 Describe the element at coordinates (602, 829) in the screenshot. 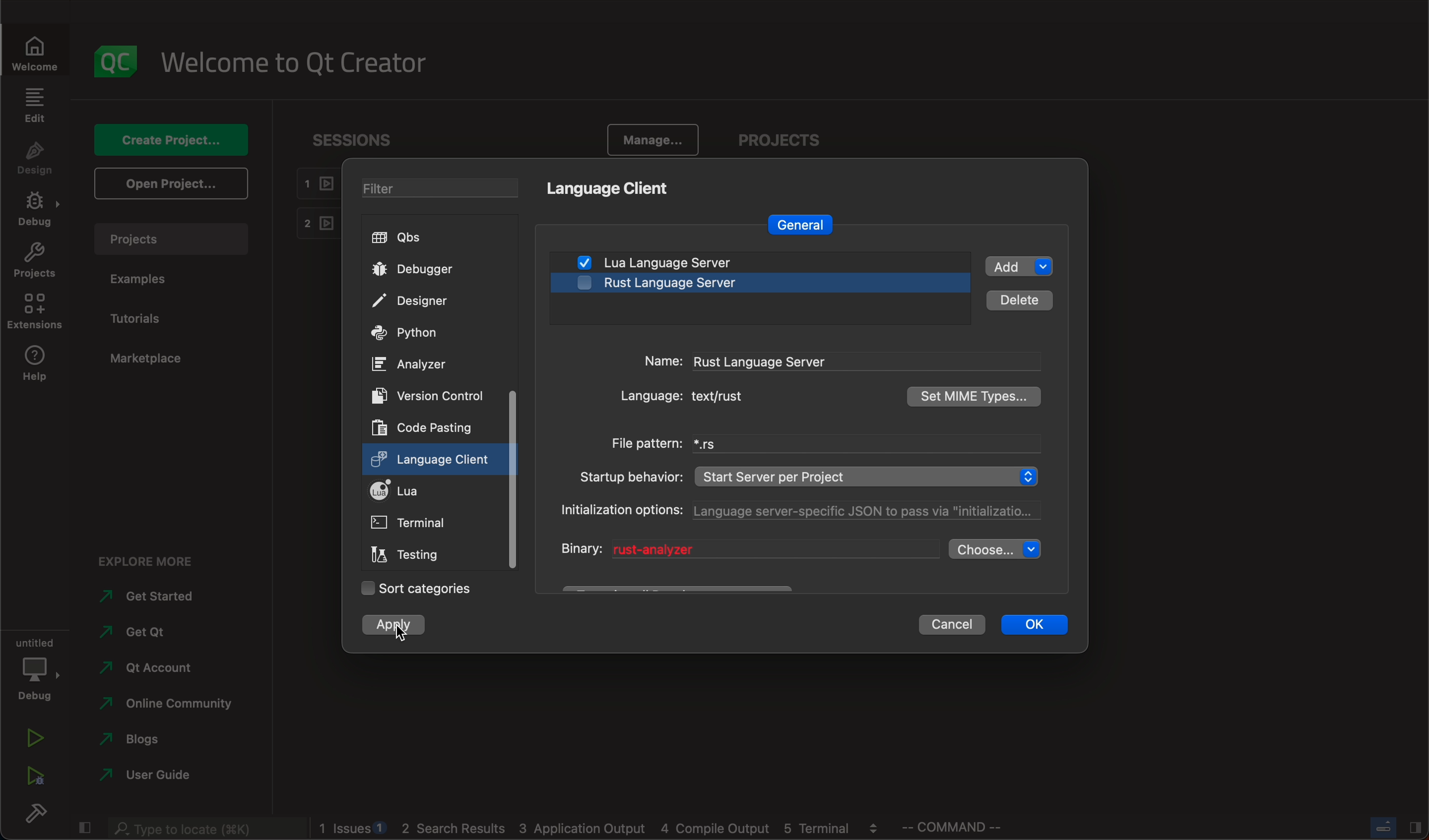

I see `logs` at that location.